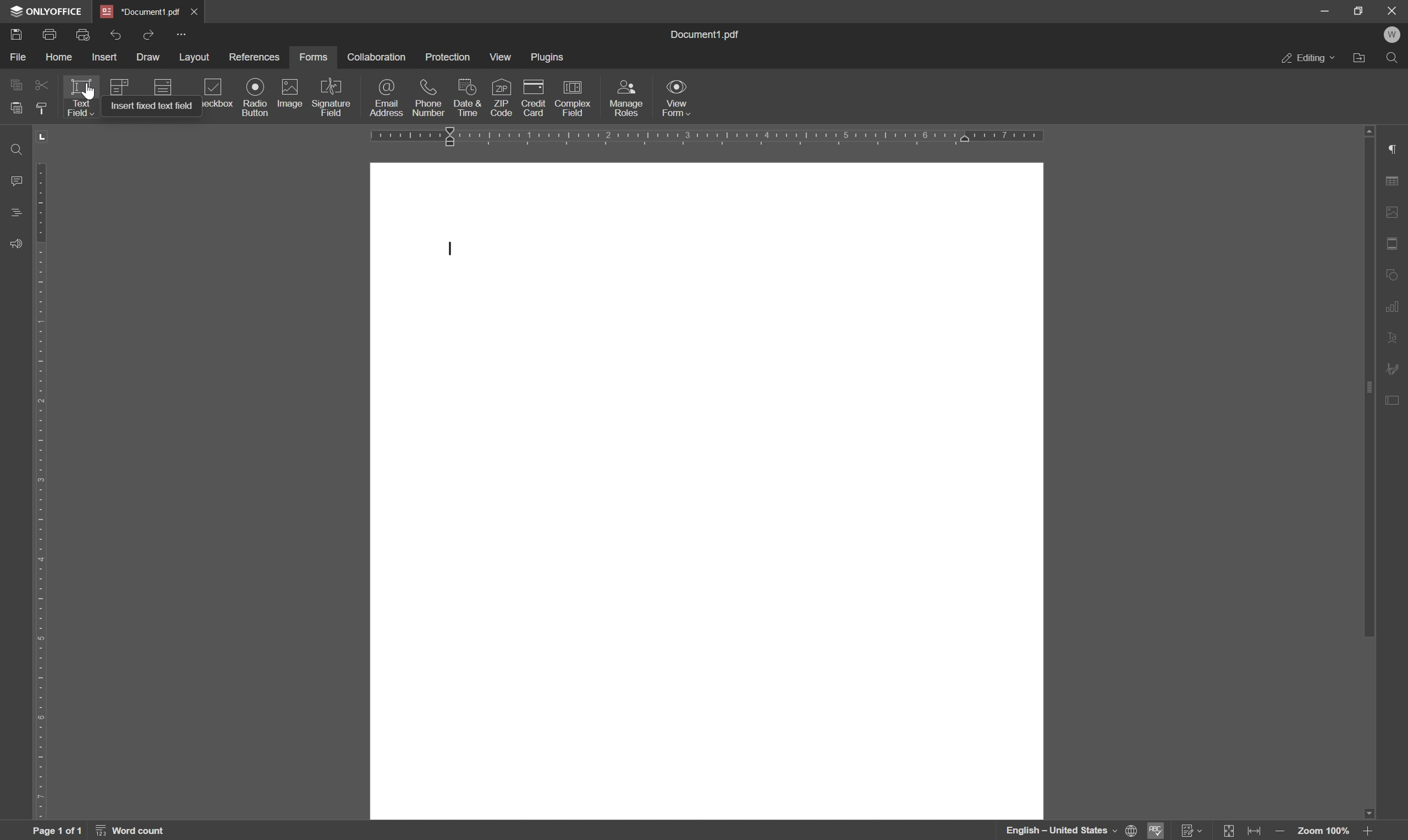  What do you see at coordinates (255, 57) in the screenshot?
I see `references` at bounding box center [255, 57].